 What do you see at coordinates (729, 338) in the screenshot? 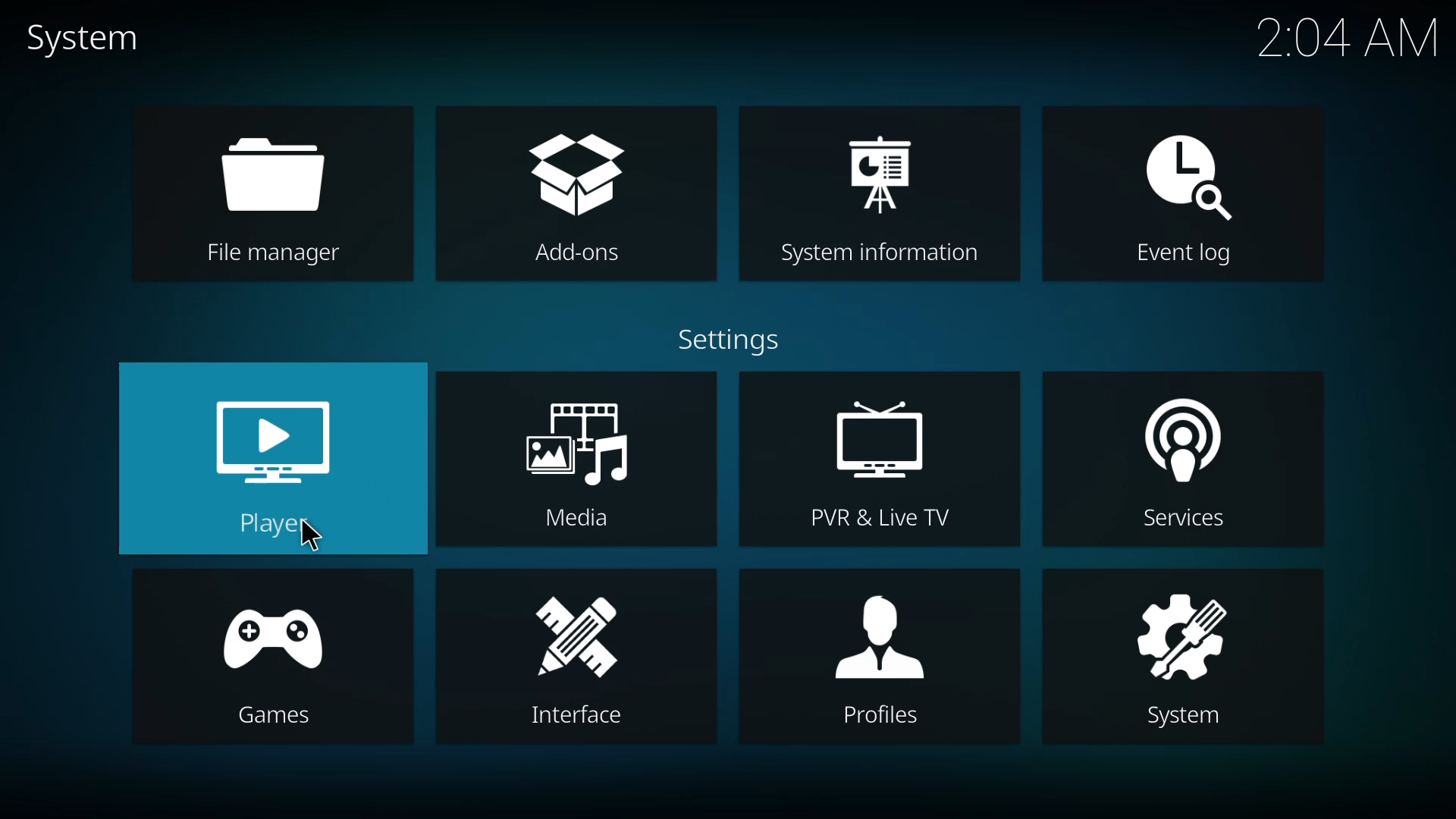
I see `settings` at bounding box center [729, 338].